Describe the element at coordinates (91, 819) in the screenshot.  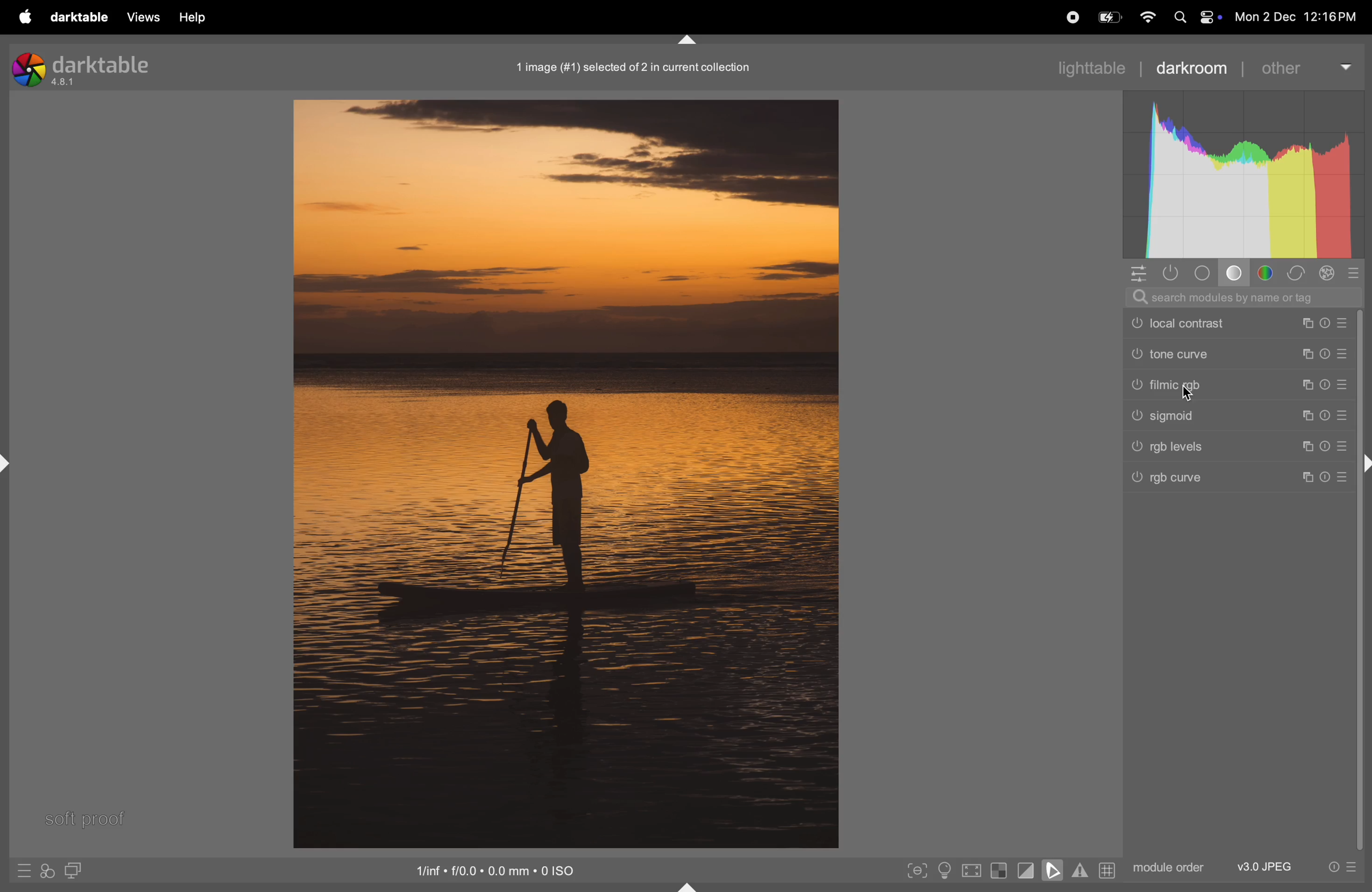
I see `softproof` at that location.